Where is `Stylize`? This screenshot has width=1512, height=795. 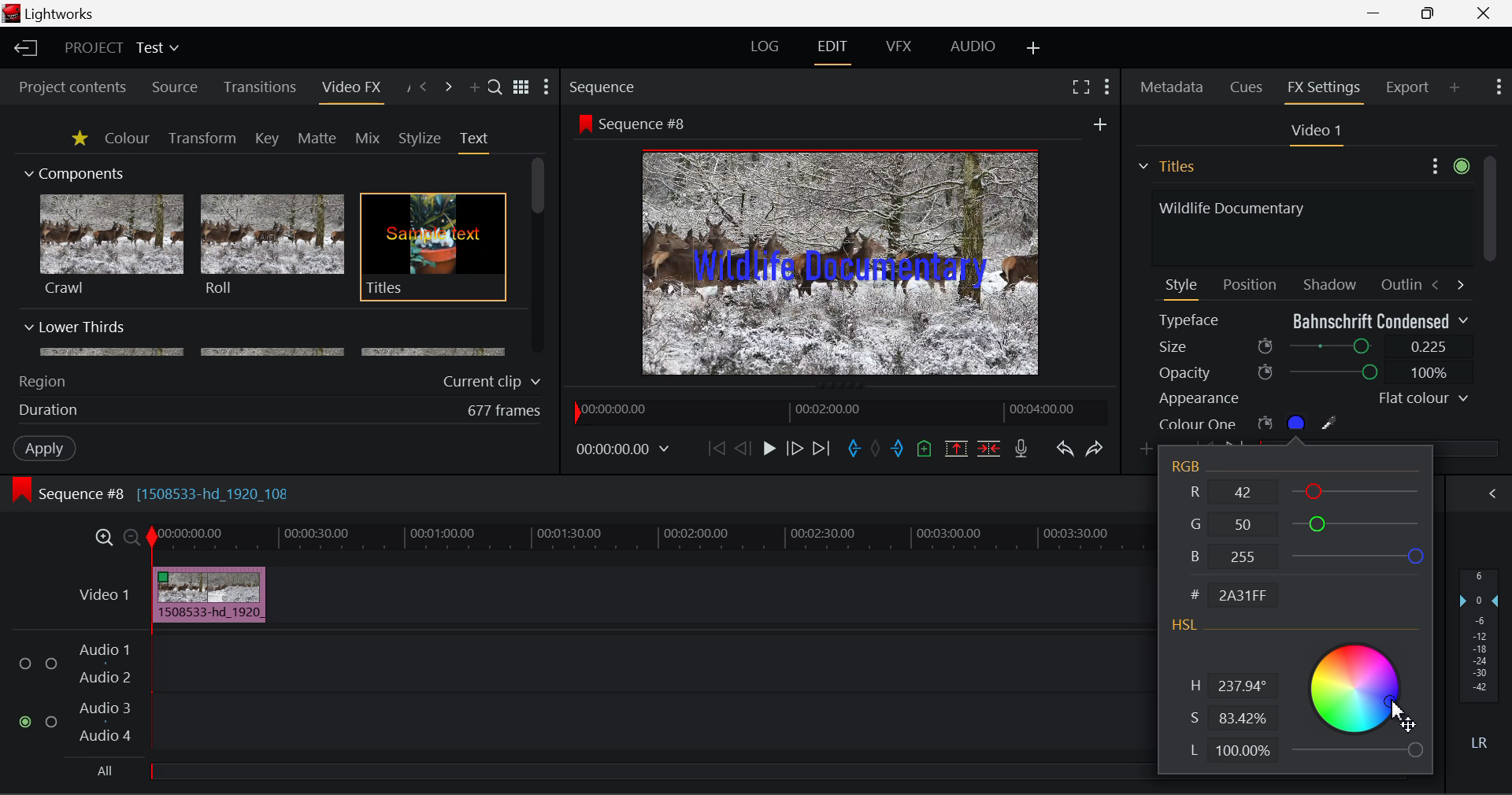
Stylize is located at coordinates (421, 139).